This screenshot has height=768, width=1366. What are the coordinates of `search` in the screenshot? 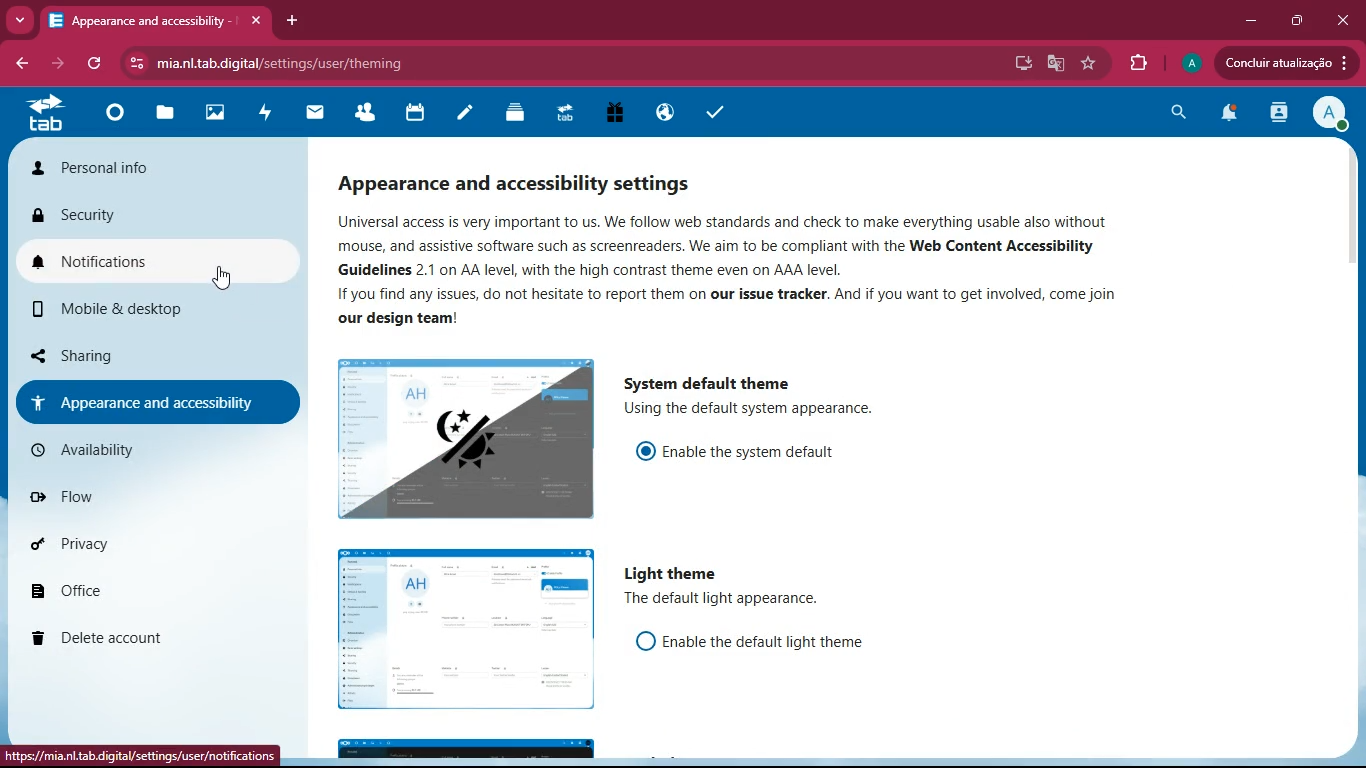 It's located at (1182, 112).